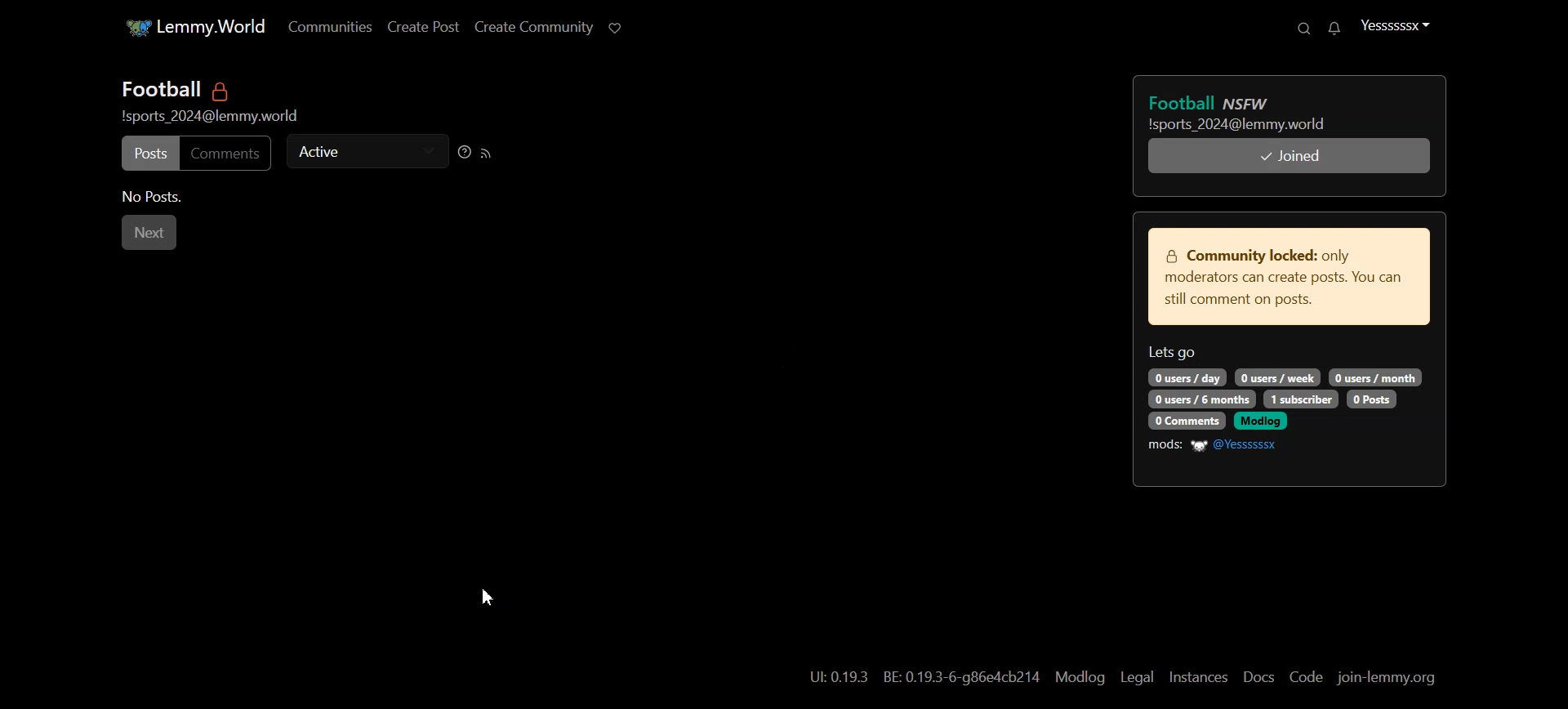  Describe the element at coordinates (210, 89) in the screenshot. I see `Text` at that location.